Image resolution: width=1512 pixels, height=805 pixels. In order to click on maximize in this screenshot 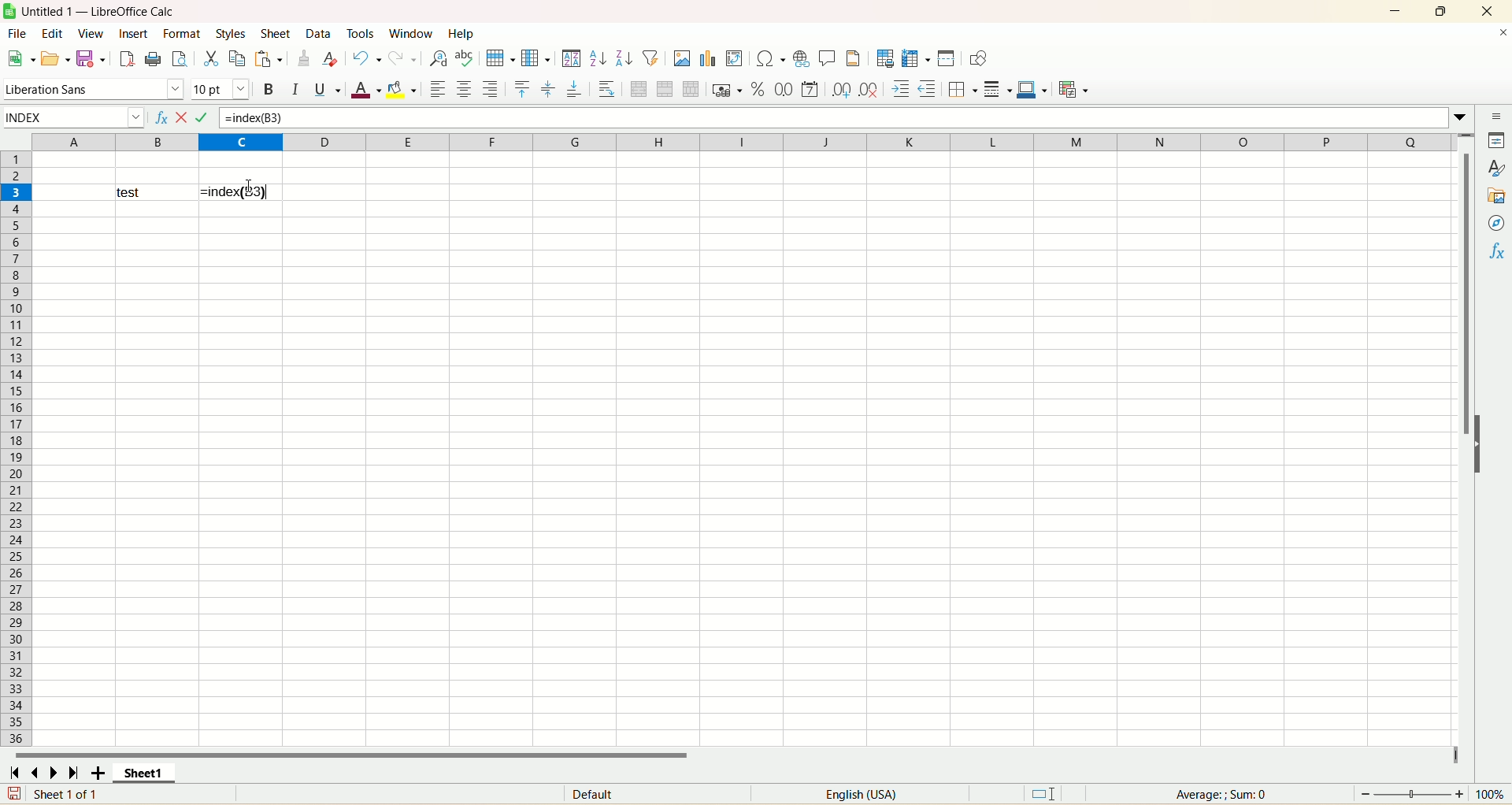, I will do `click(1440, 11)`.